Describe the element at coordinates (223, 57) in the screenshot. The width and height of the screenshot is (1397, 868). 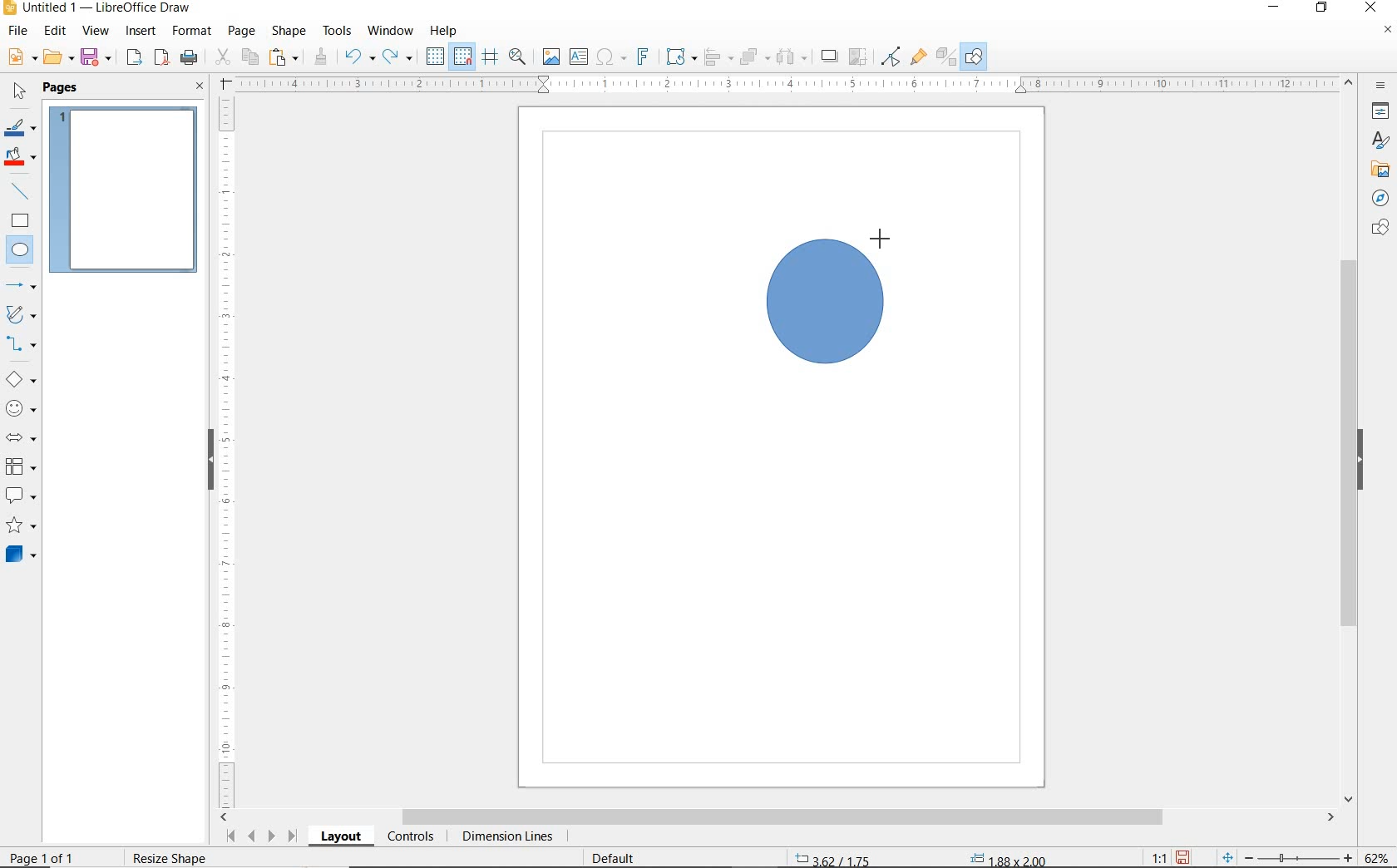
I see `CUT` at that location.